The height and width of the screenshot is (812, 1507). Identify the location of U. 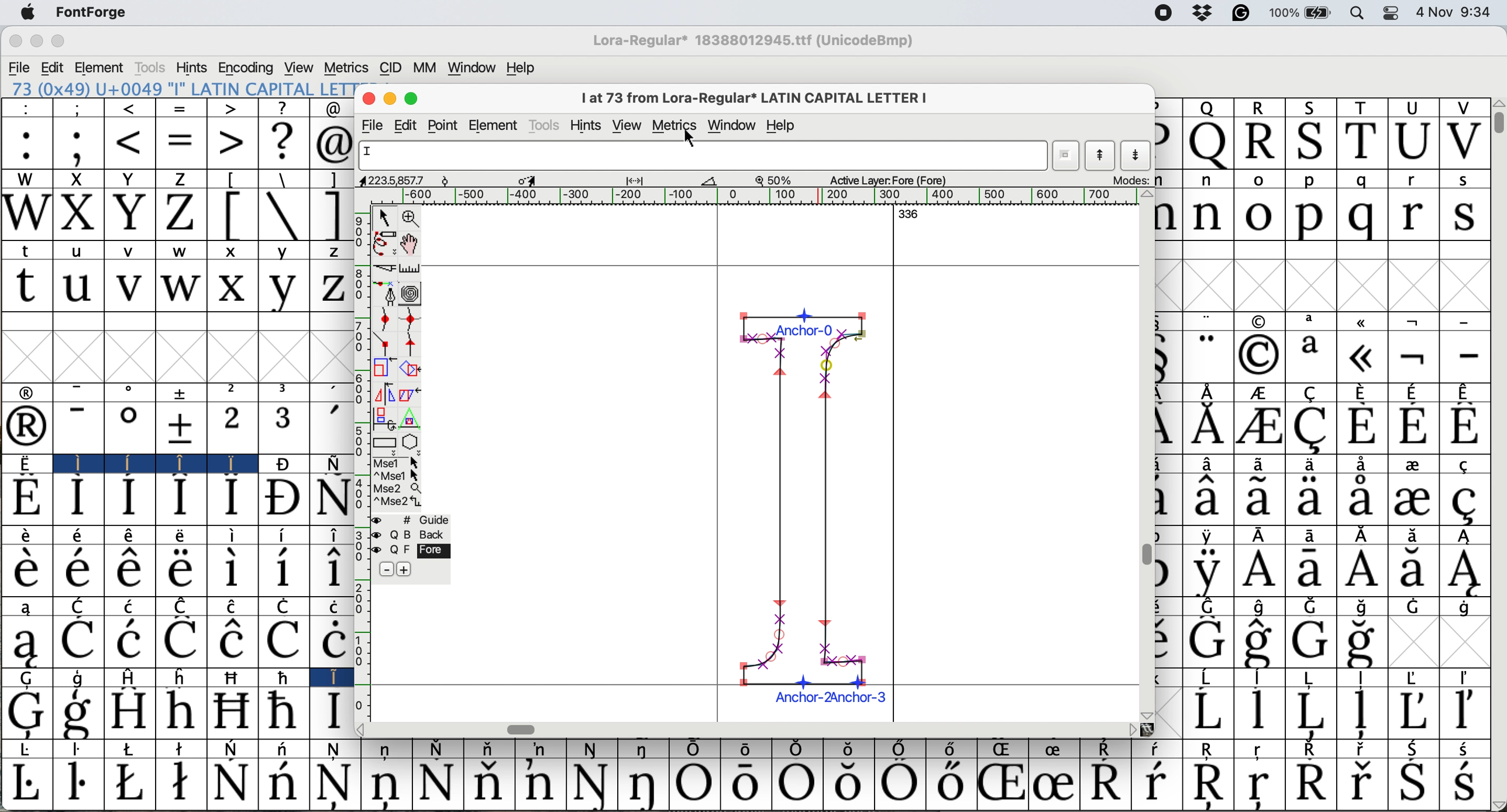
(1414, 107).